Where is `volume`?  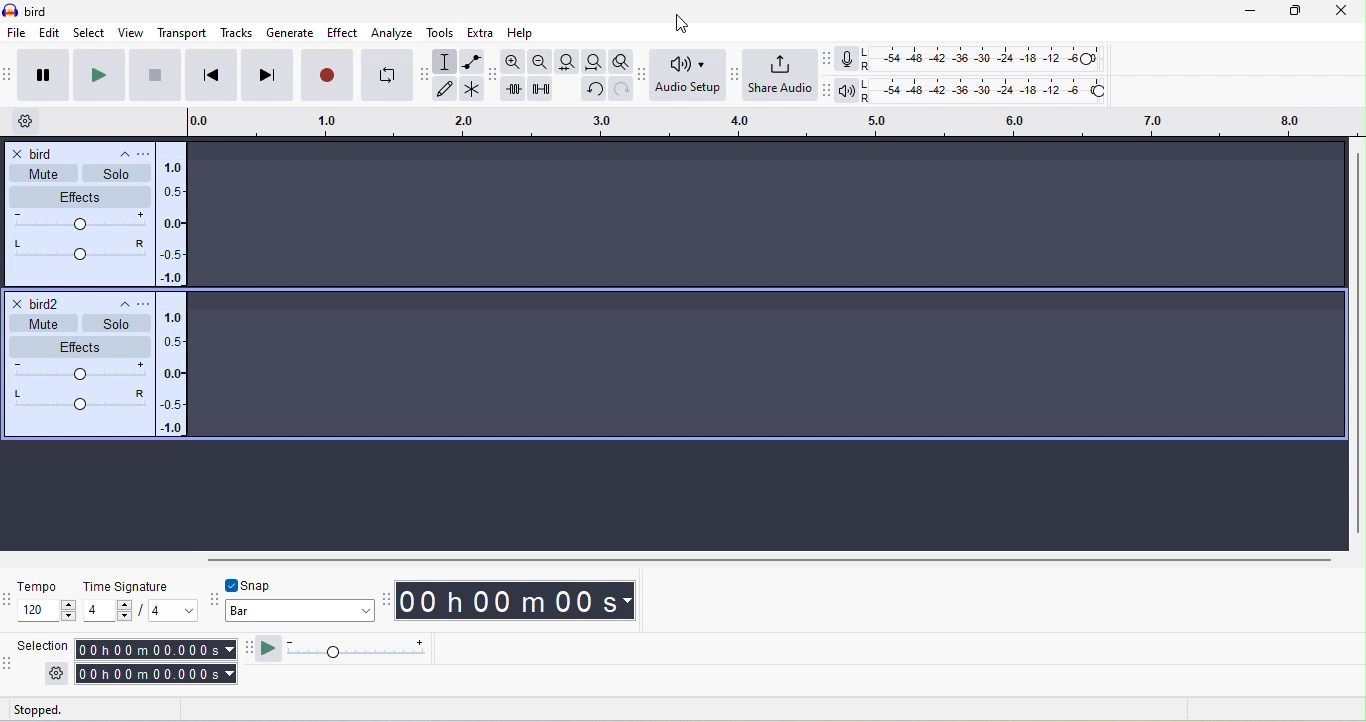 volume is located at coordinates (80, 222).